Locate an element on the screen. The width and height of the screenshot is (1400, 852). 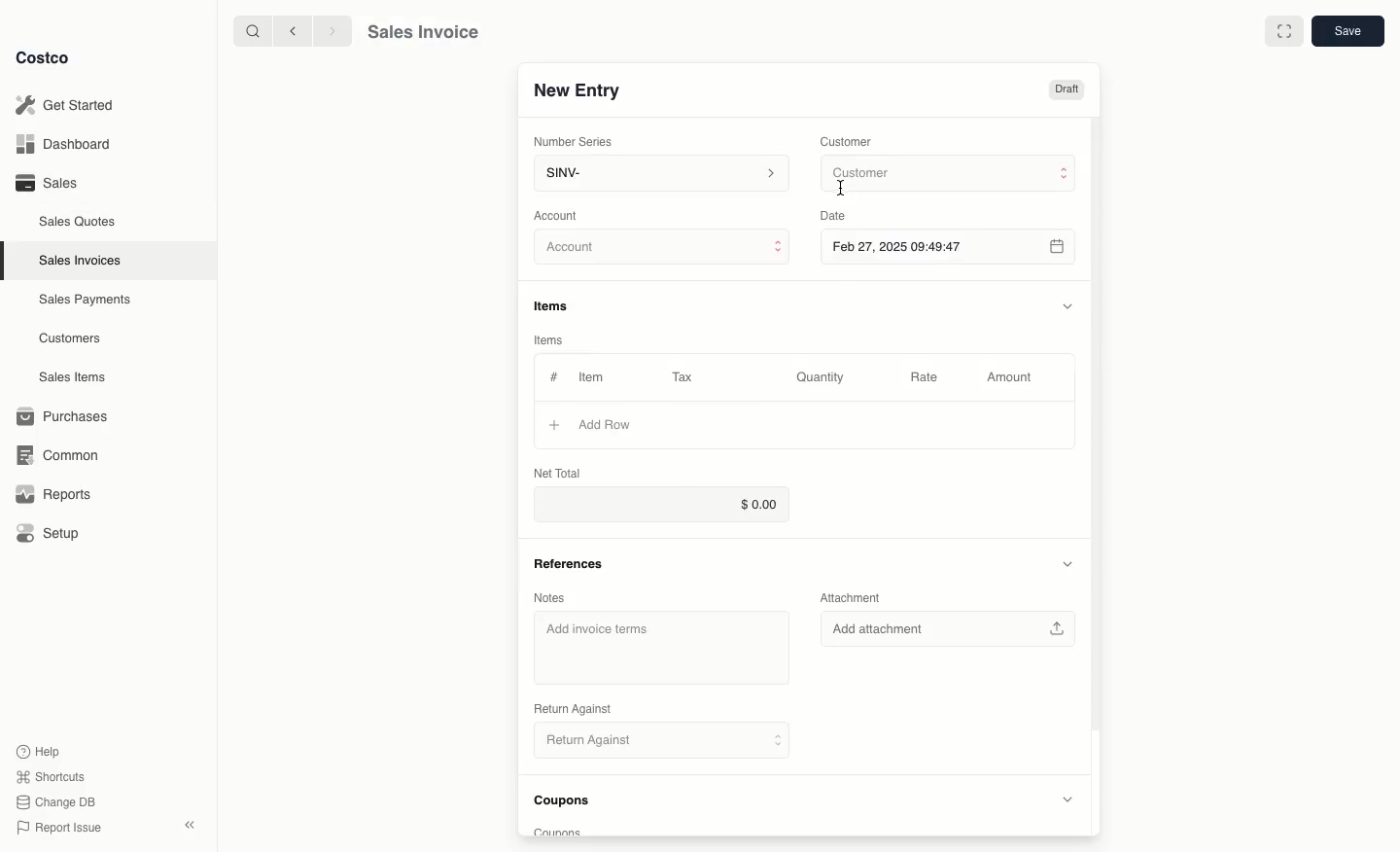
SINV- is located at coordinates (657, 175).